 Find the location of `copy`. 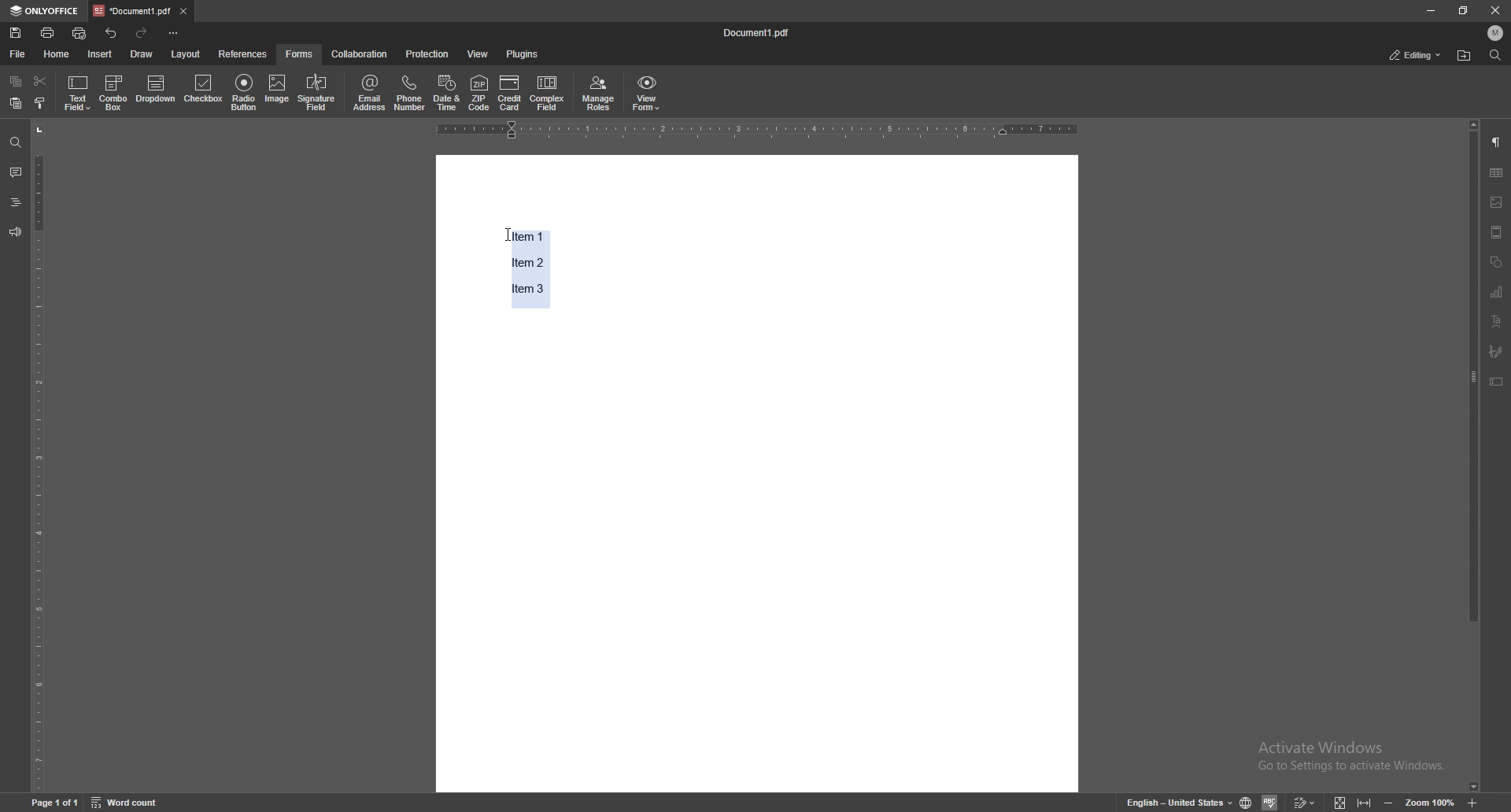

copy is located at coordinates (17, 81).